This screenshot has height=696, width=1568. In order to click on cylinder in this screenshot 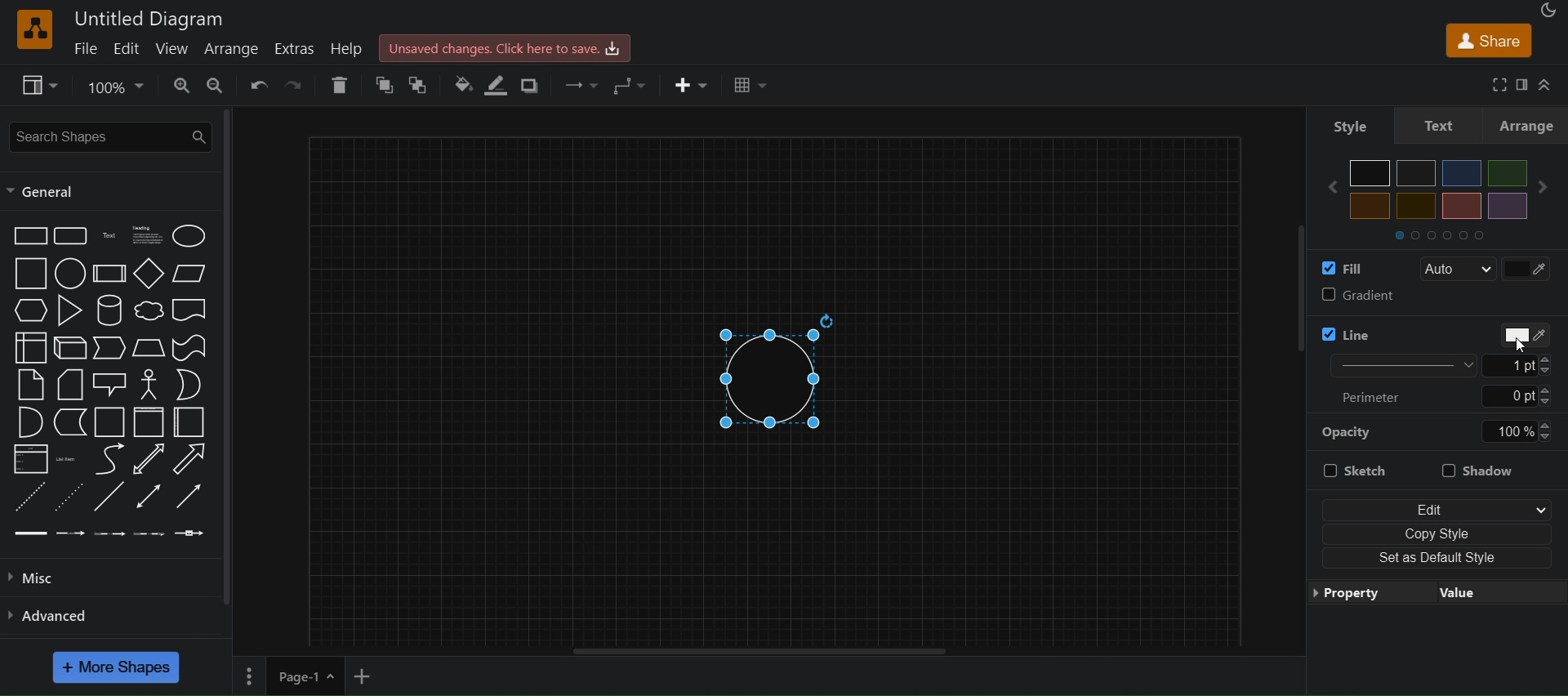, I will do `click(112, 310)`.